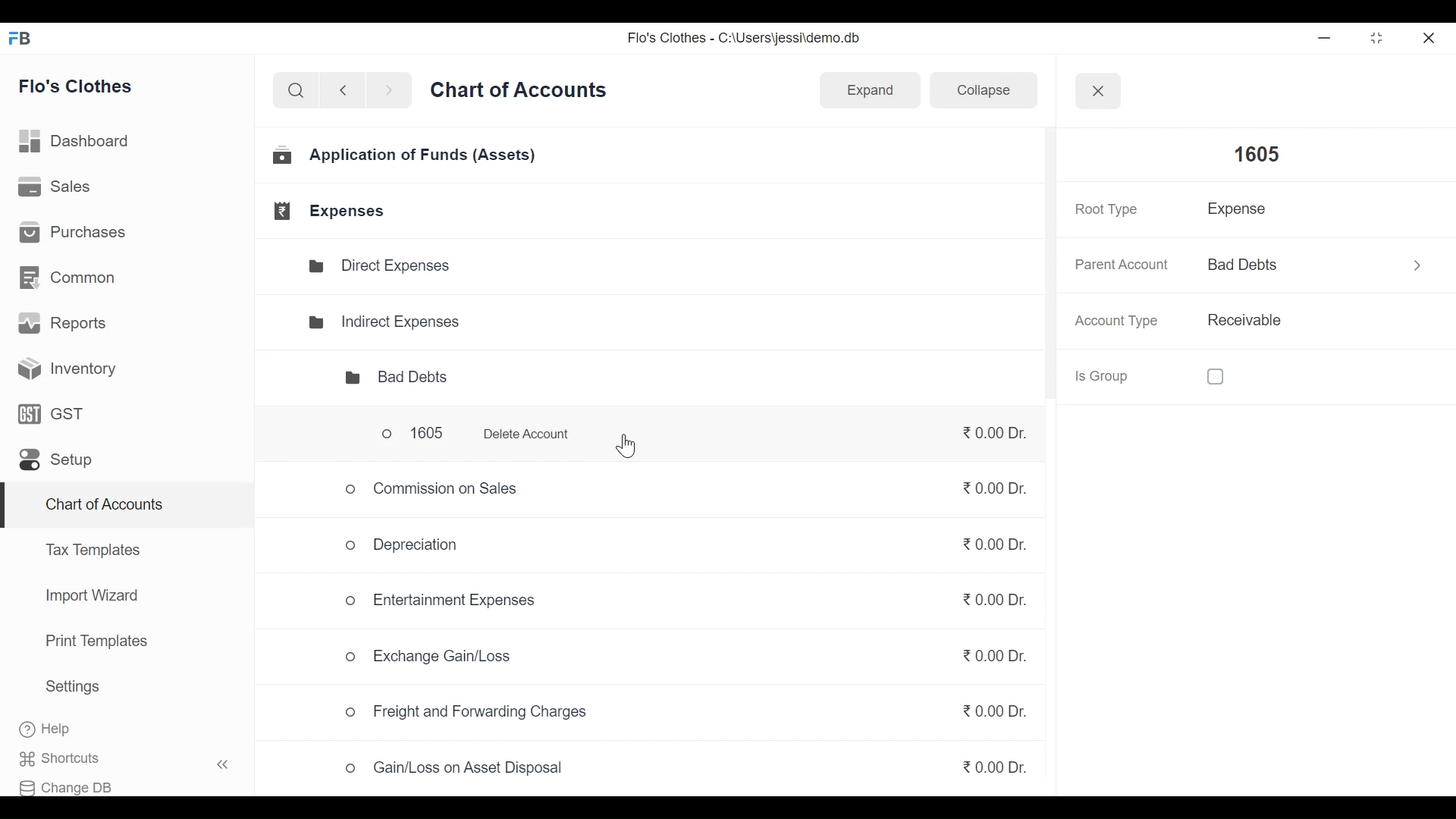 The height and width of the screenshot is (819, 1456). Describe the element at coordinates (1119, 265) in the screenshot. I see `Parent Account` at that location.